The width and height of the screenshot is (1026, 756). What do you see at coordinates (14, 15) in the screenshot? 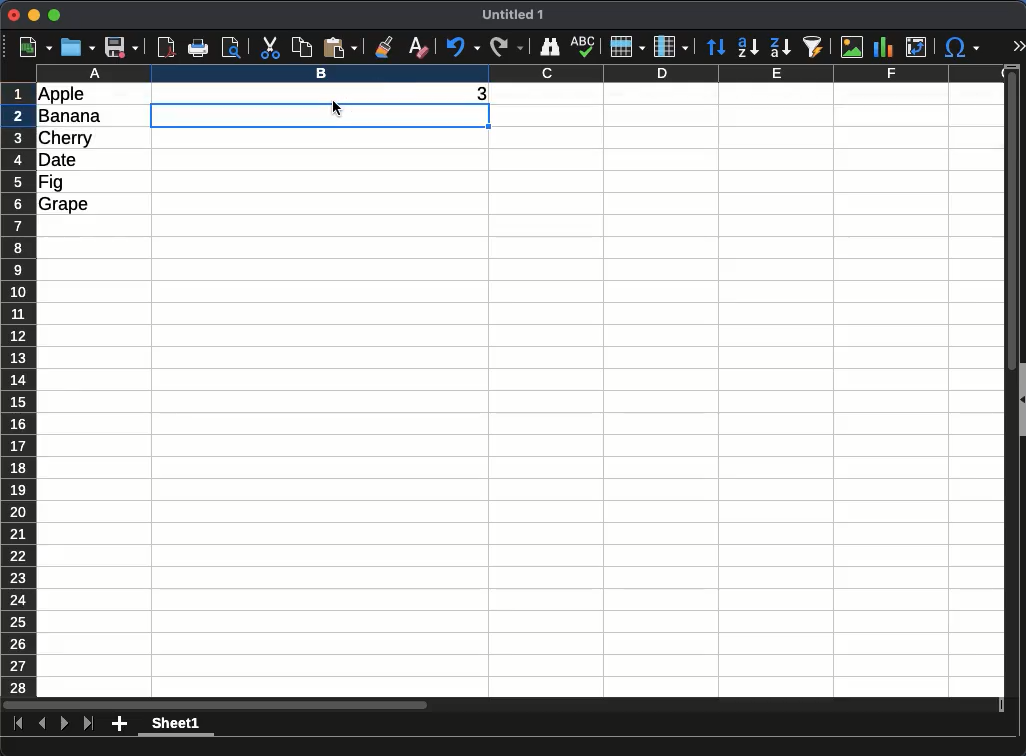
I see `close` at bounding box center [14, 15].